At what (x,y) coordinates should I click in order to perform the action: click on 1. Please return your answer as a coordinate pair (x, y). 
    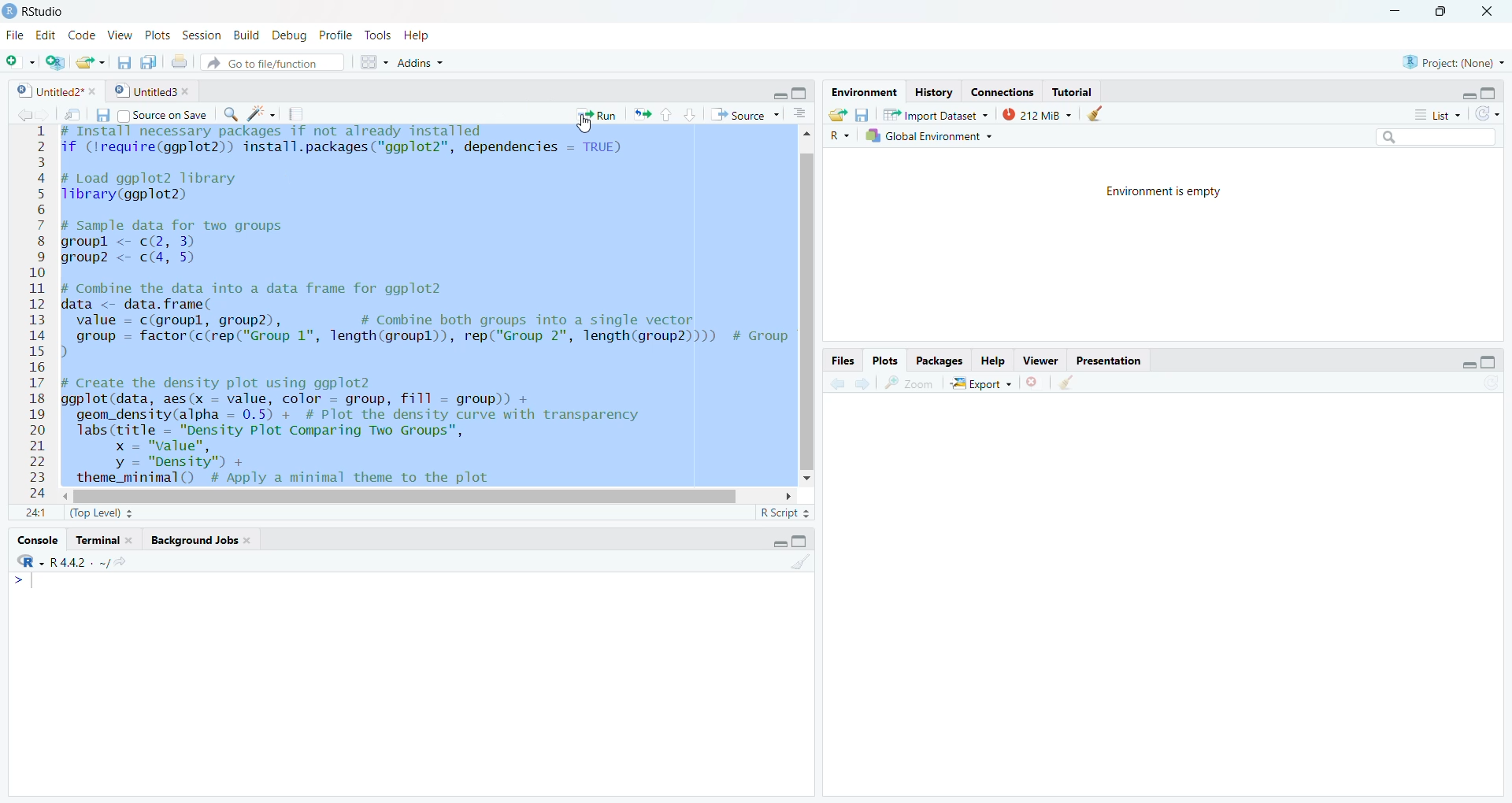
    Looking at the image, I should click on (37, 135).